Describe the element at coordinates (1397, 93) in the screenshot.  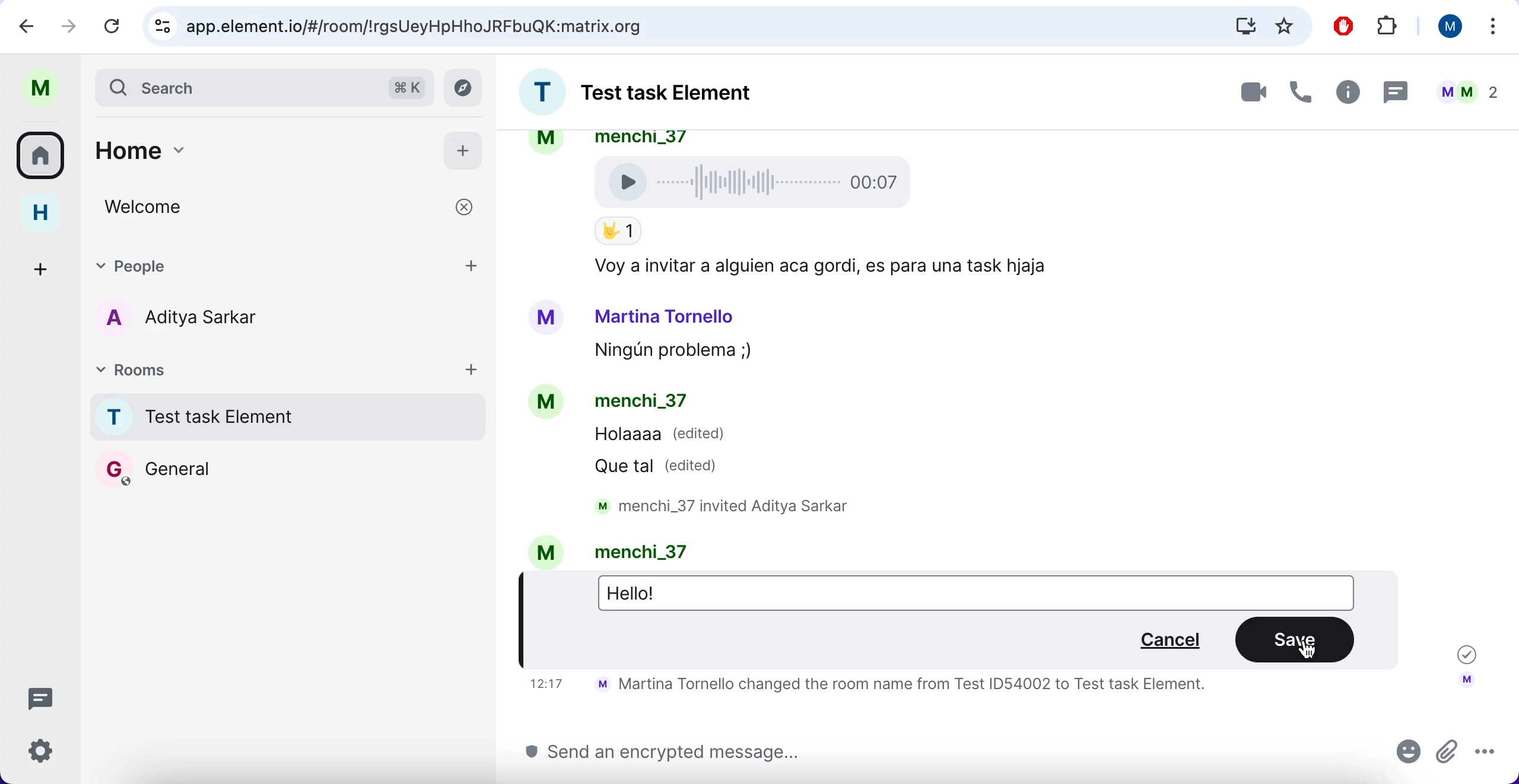
I see `message` at that location.